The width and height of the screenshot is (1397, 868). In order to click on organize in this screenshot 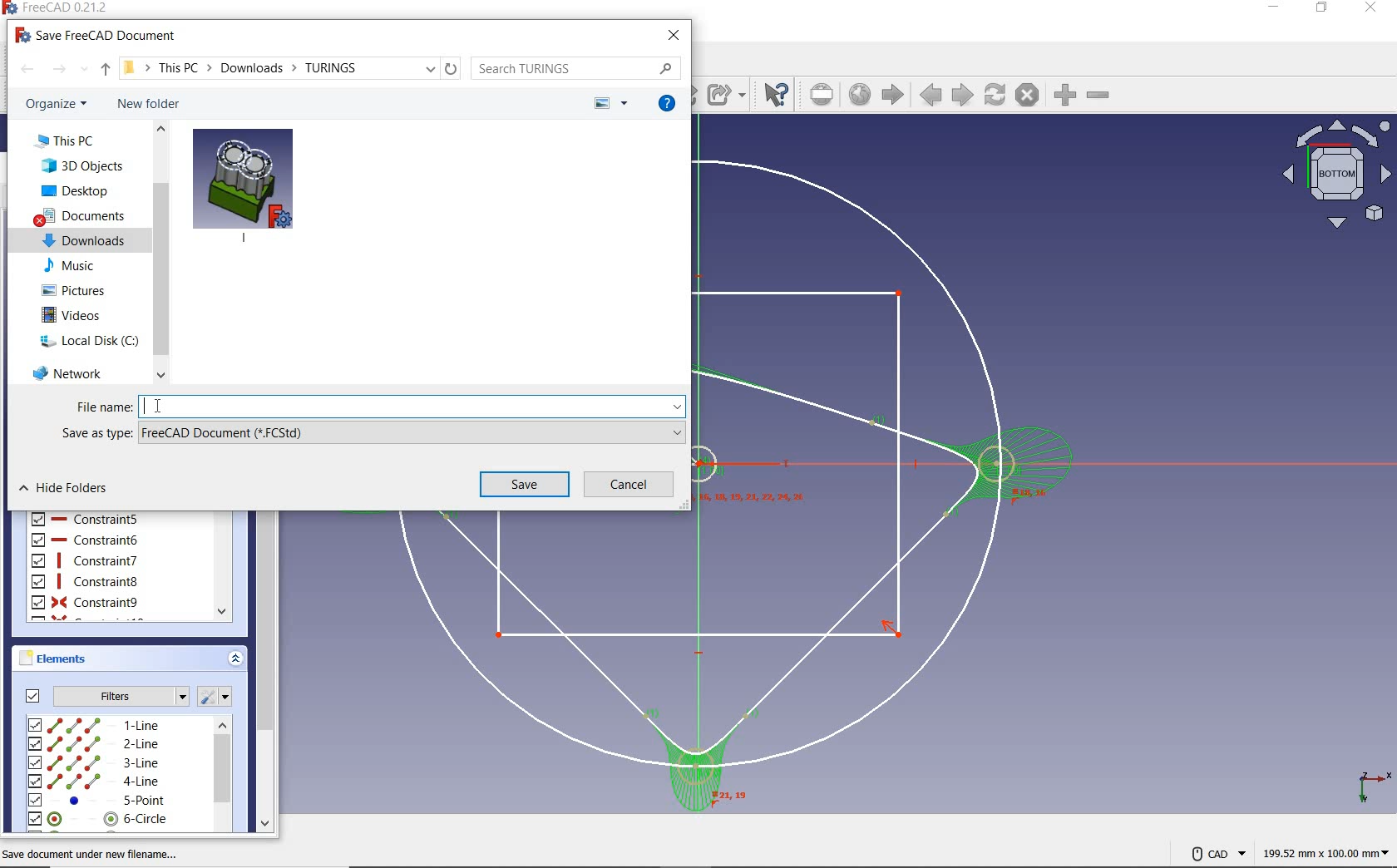, I will do `click(58, 104)`.